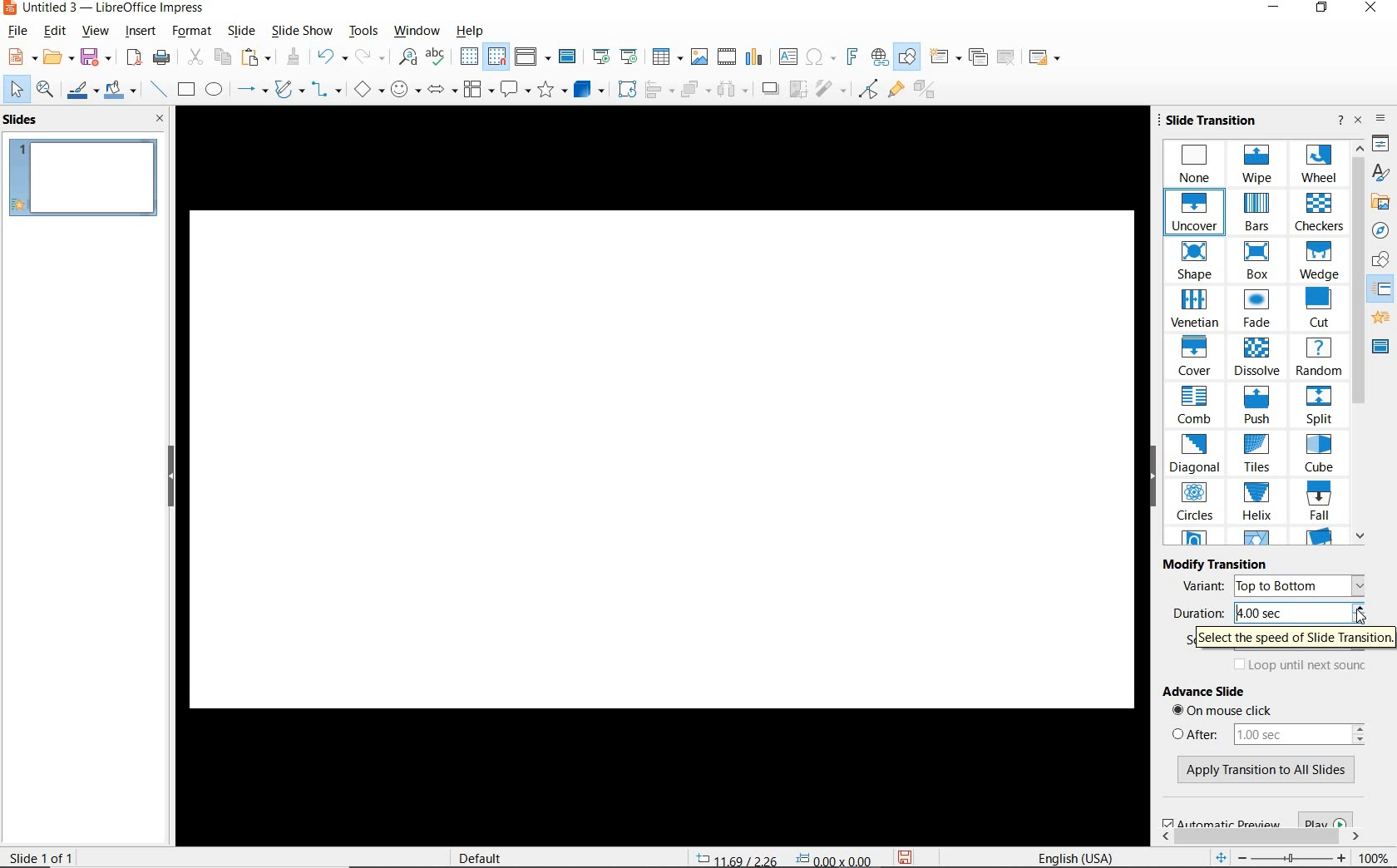  I want to click on AFTER, so click(1271, 733).